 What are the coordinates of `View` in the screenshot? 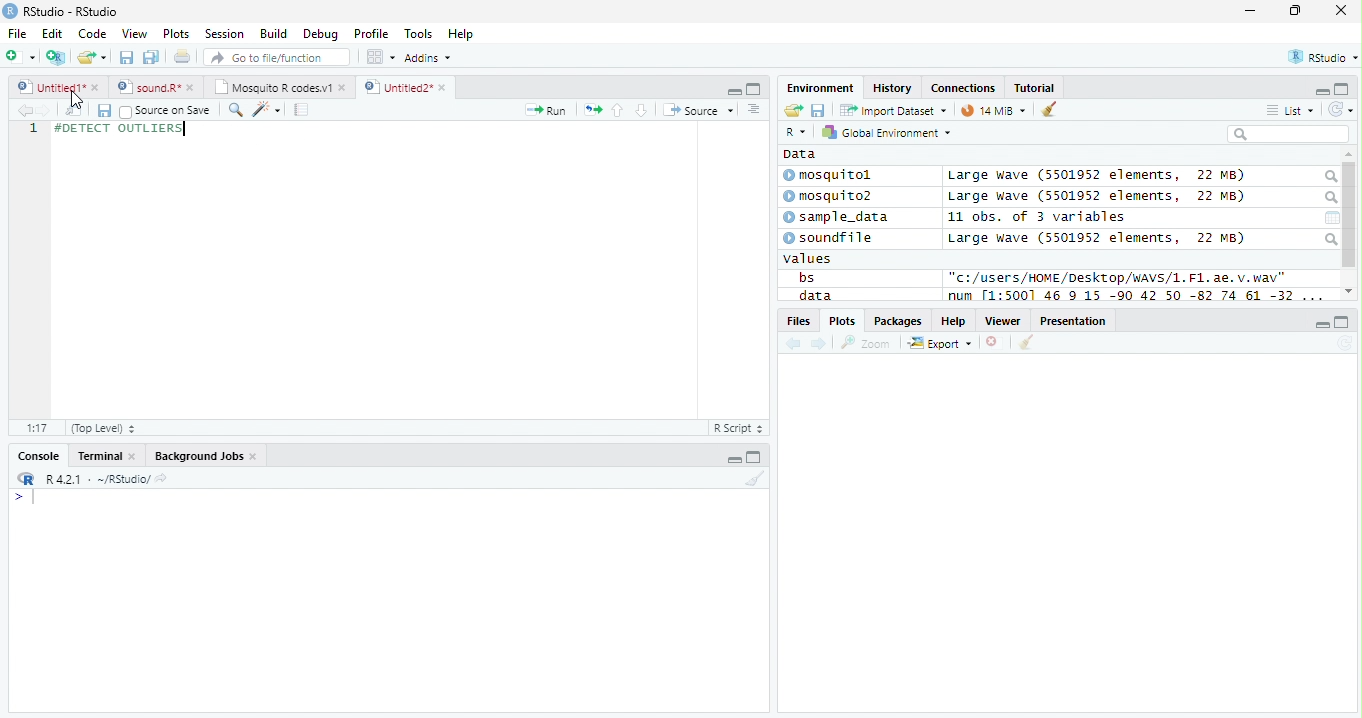 It's located at (136, 33).